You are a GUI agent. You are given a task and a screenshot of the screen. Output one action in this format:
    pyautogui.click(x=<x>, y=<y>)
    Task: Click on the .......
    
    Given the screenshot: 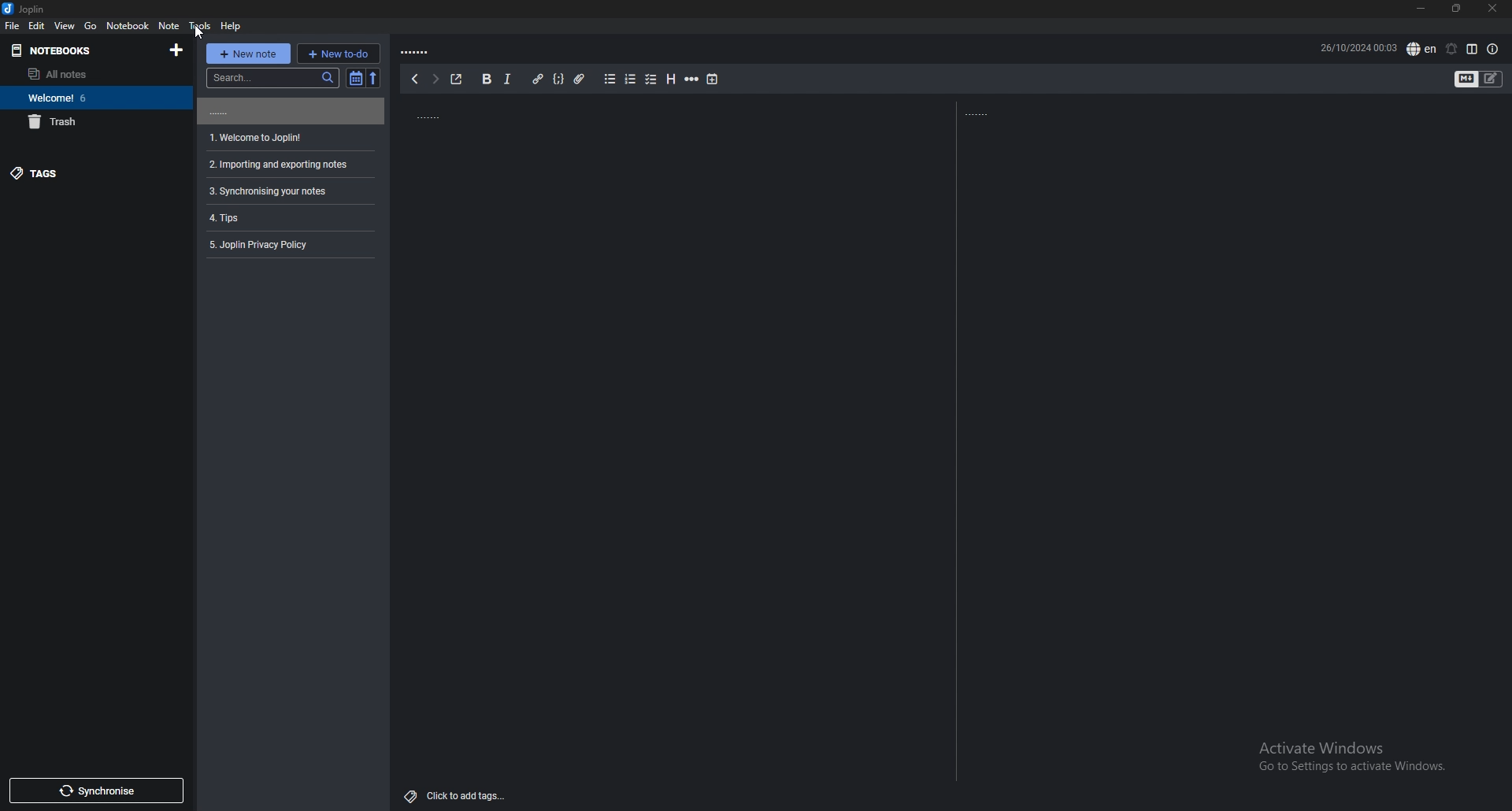 What is the action you would take?
    pyautogui.click(x=289, y=111)
    